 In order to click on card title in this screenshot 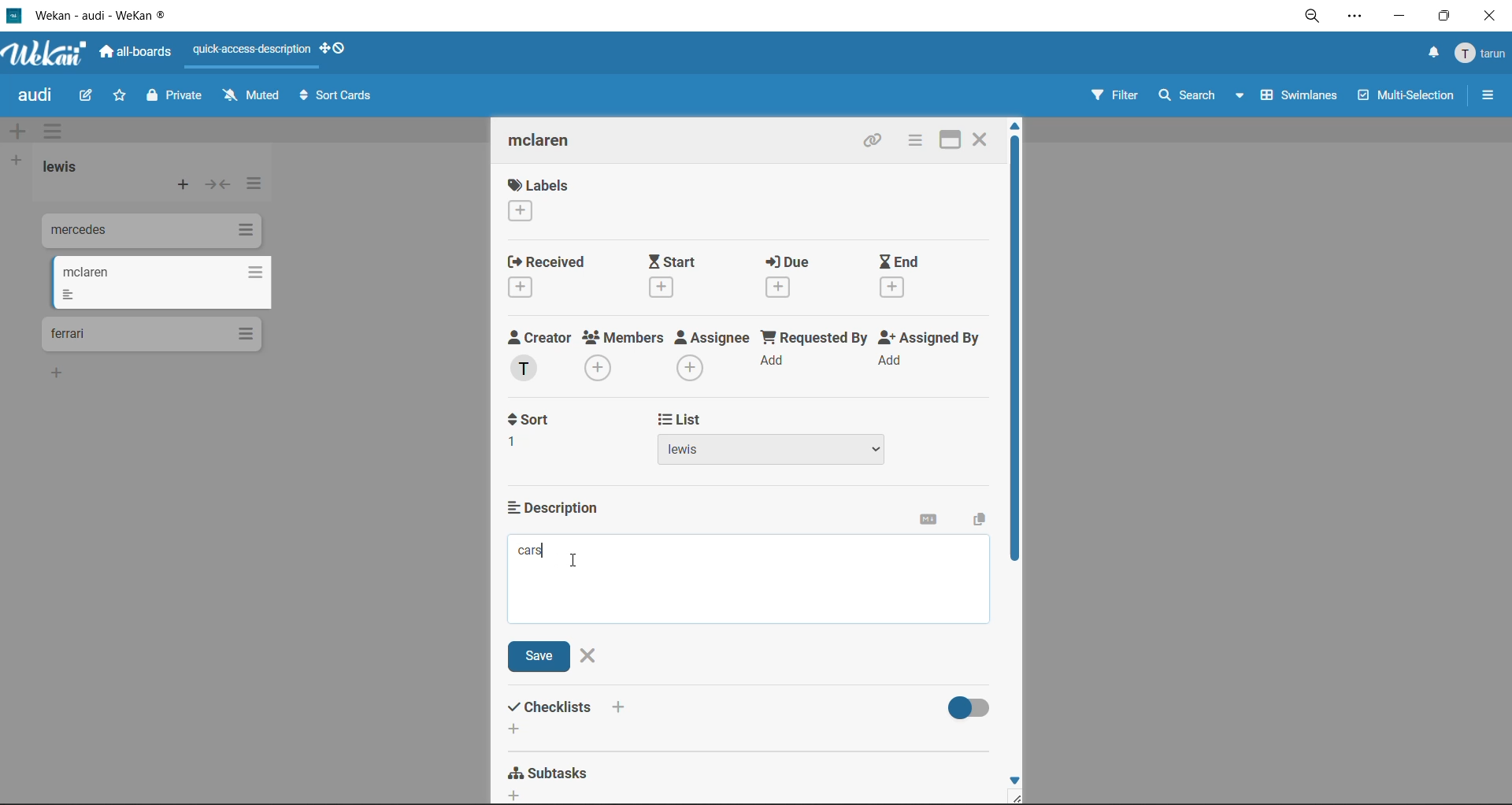, I will do `click(553, 143)`.